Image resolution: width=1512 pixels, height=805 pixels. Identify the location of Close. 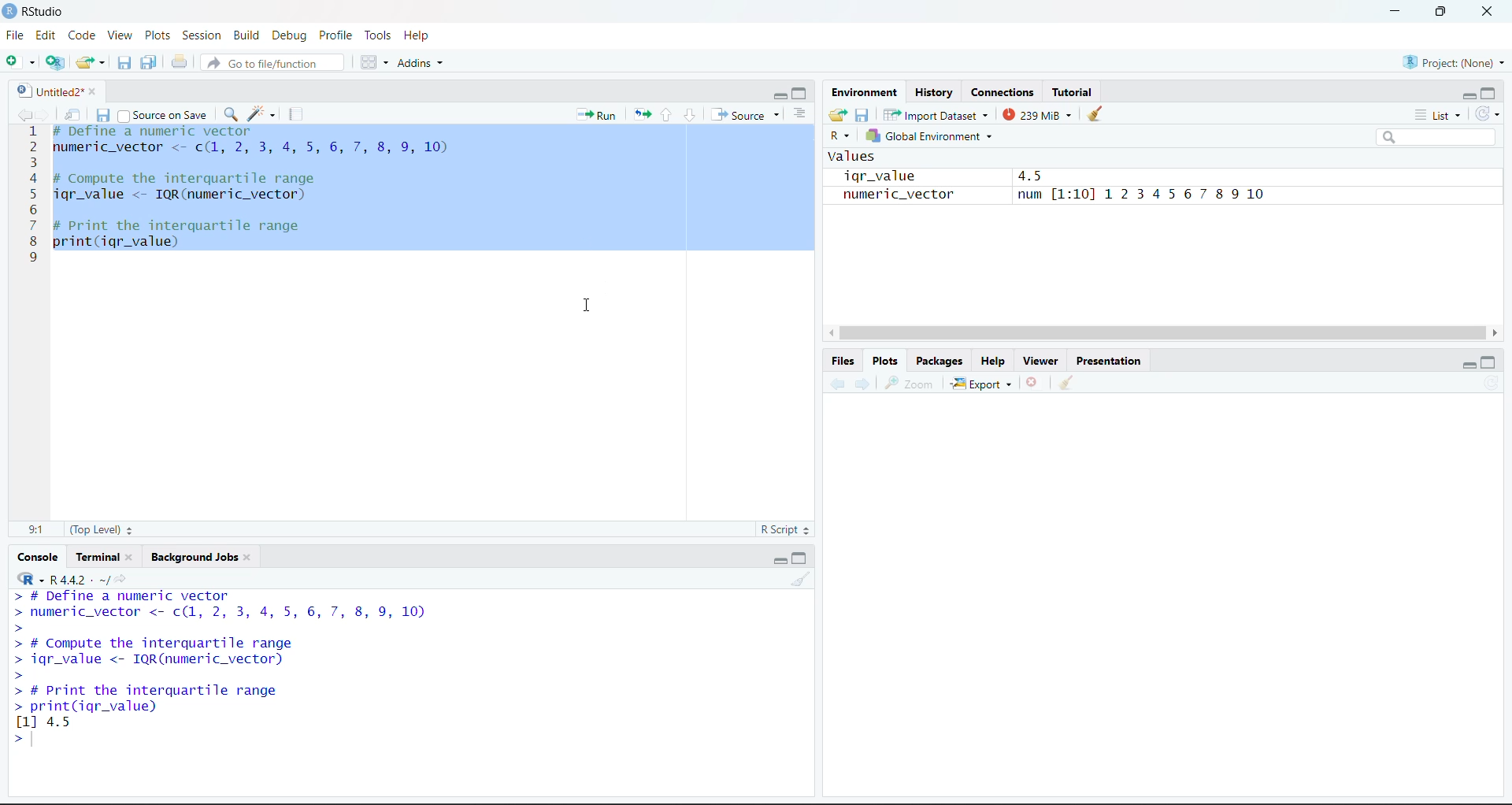
(1034, 382).